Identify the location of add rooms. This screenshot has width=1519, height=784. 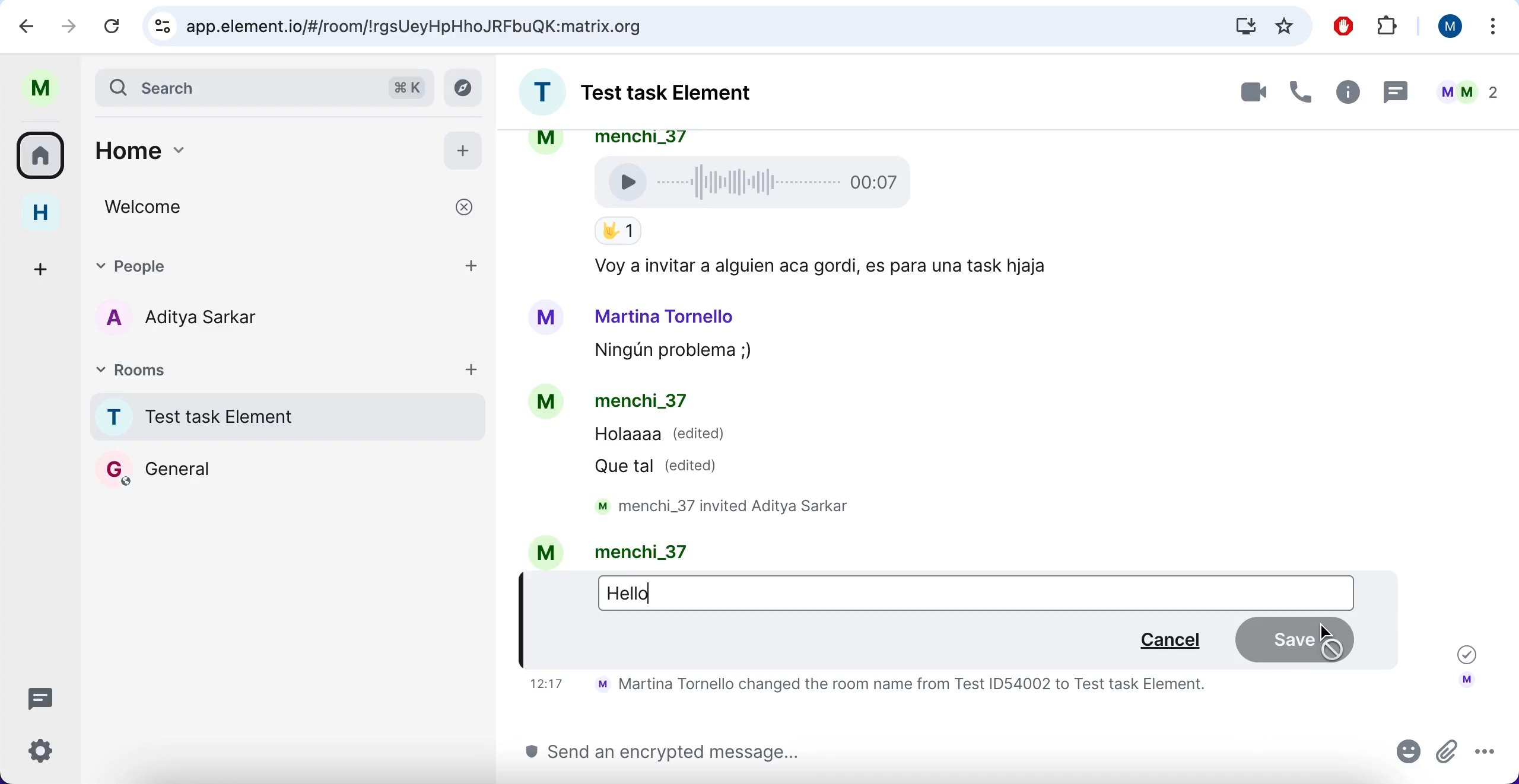
(475, 371).